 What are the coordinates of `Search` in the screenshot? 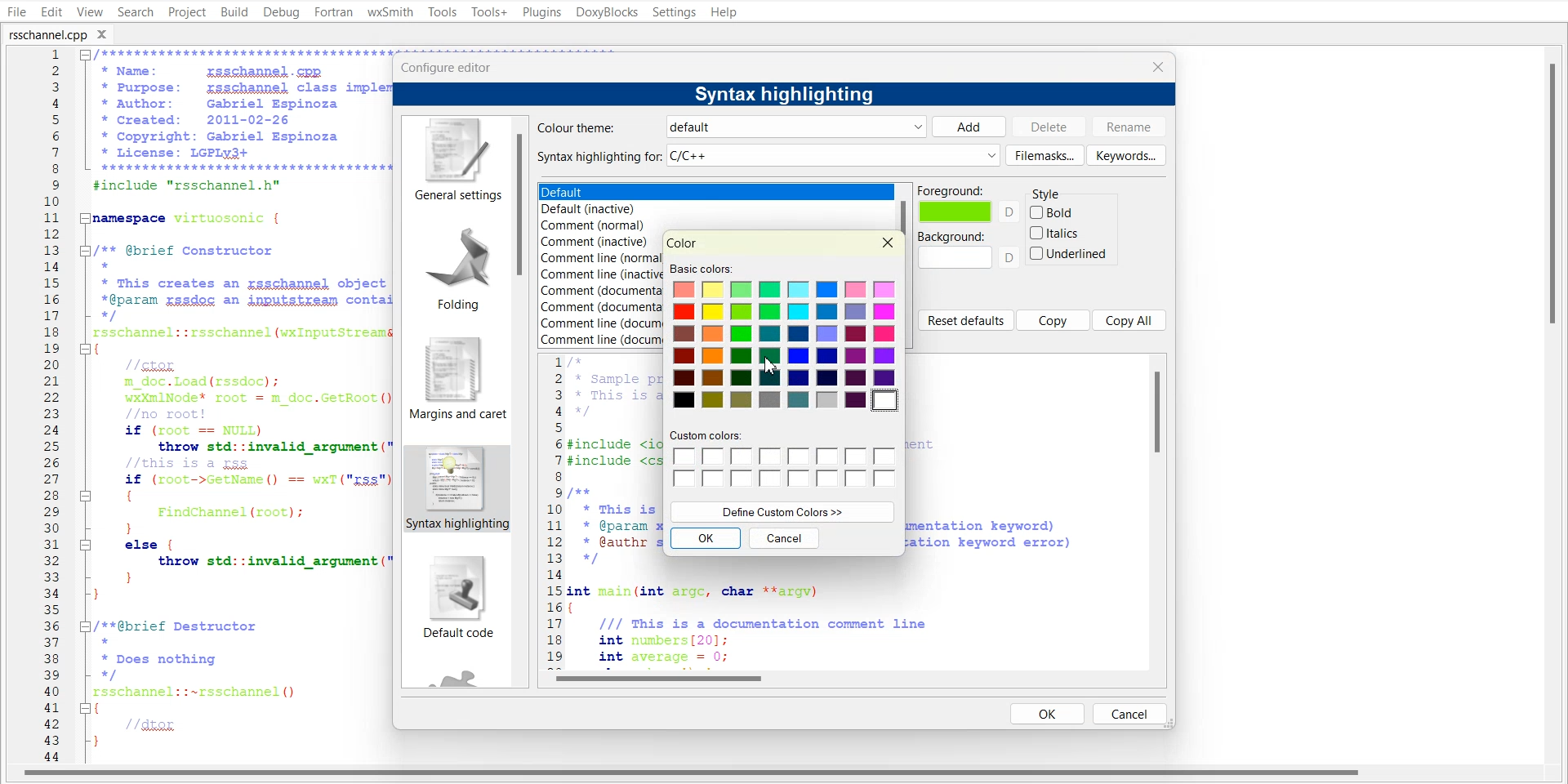 It's located at (136, 11).